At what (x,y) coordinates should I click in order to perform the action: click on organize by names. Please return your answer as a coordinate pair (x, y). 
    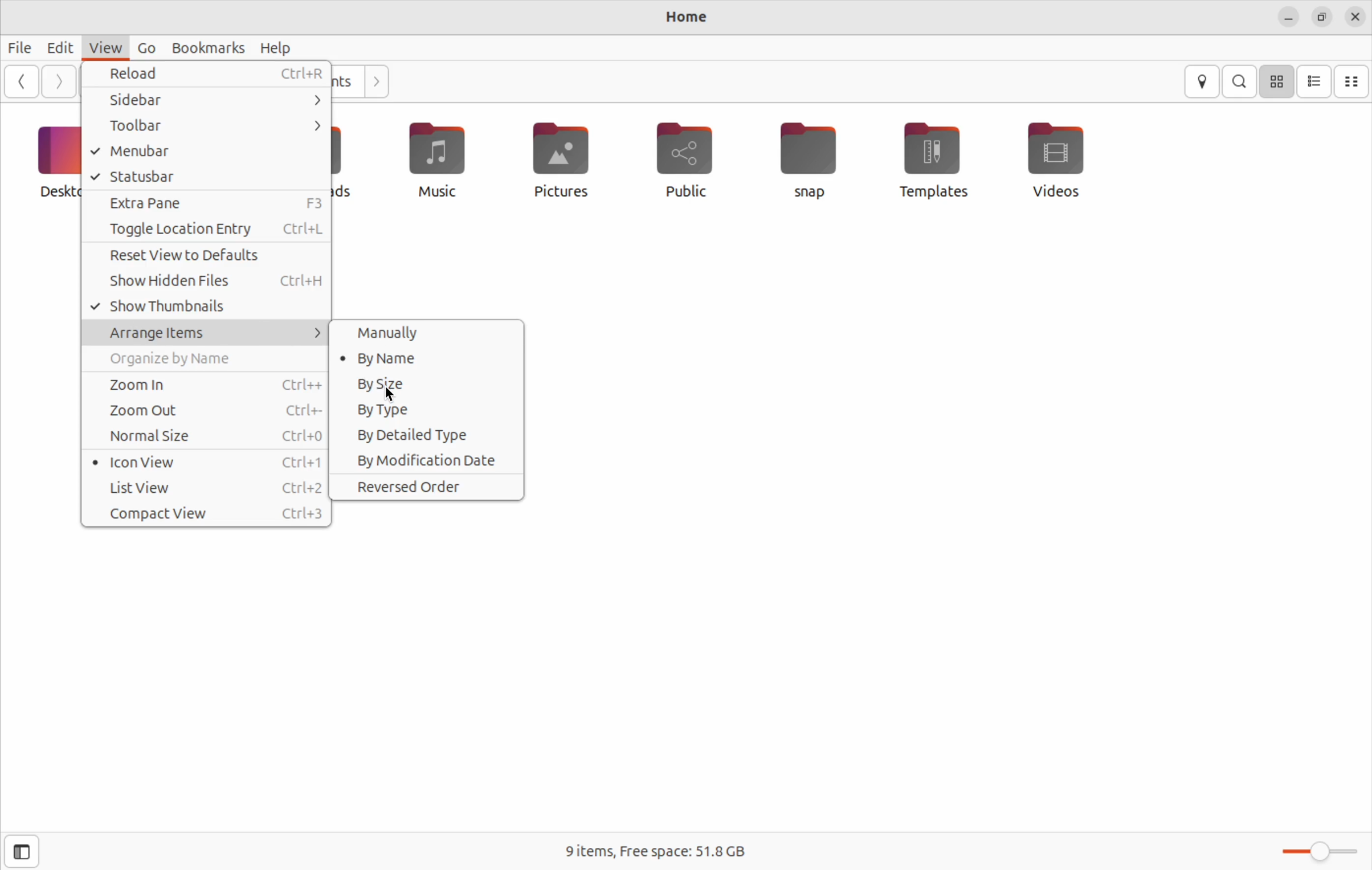
    Looking at the image, I should click on (208, 361).